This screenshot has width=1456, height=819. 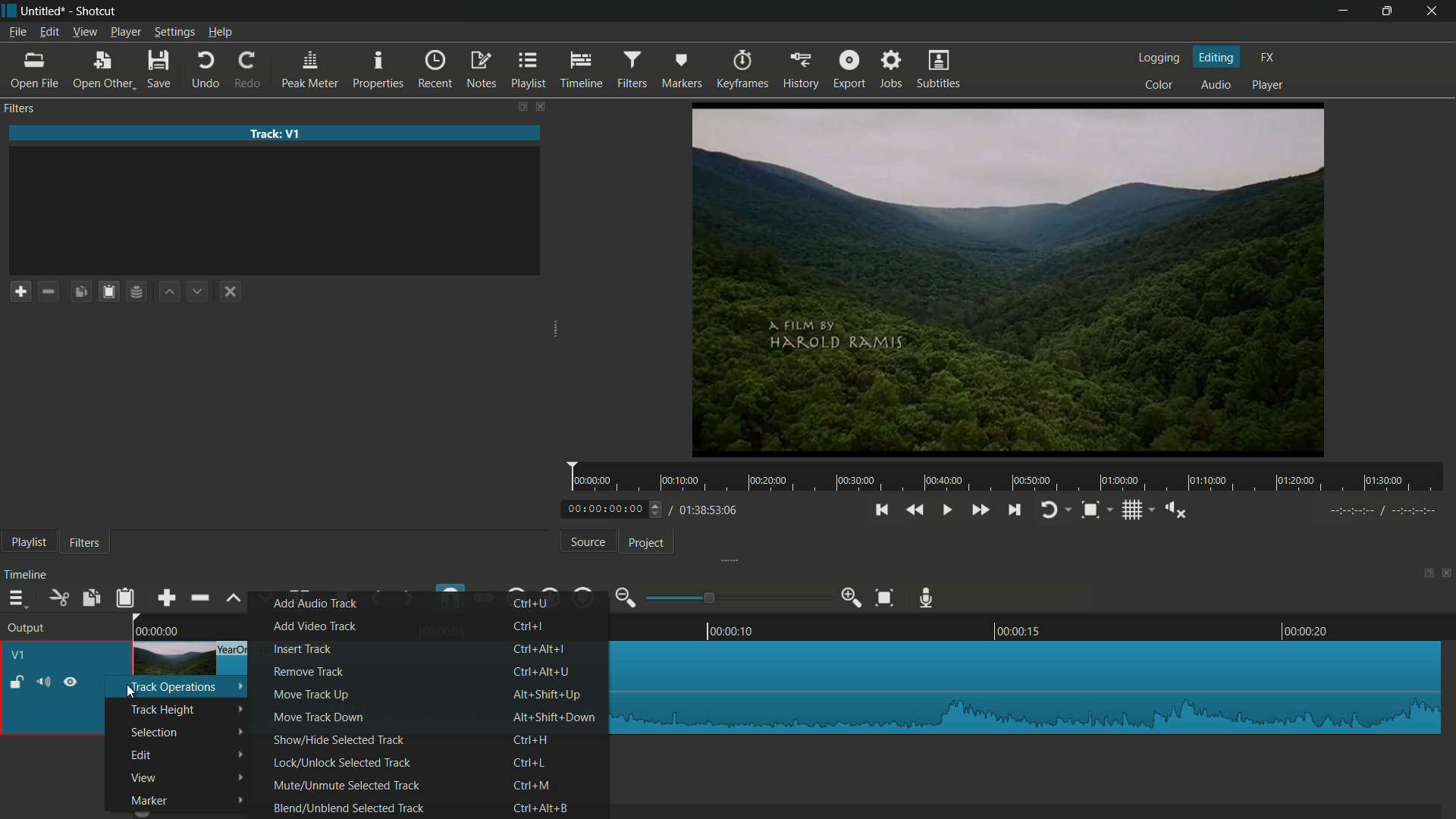 What do you see at coordinates (850, 70) in the screenshot?
I see `export` at bounding box center [850, 70].